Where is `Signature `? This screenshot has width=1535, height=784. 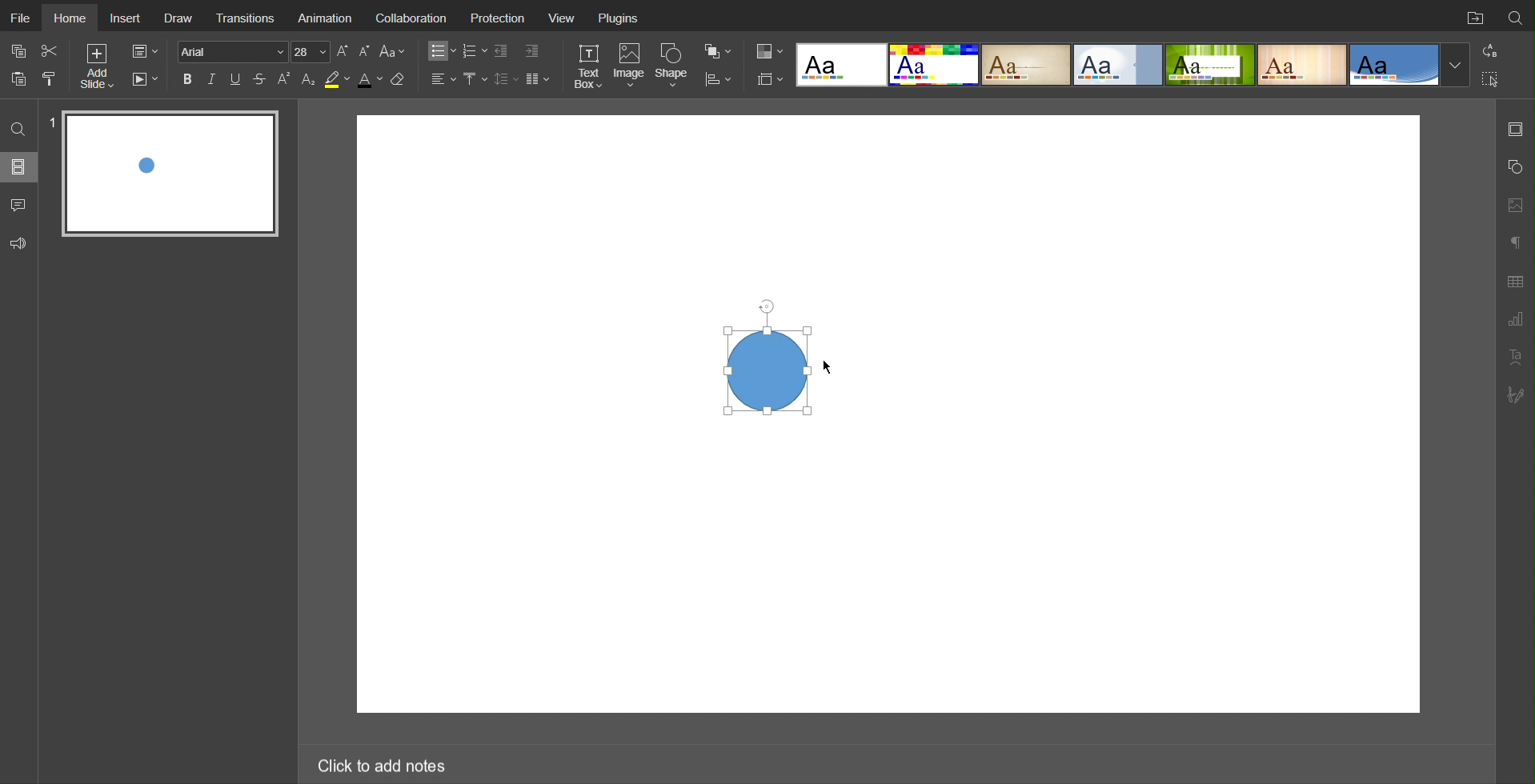 Signature  is located at coordinates (1517, 395).